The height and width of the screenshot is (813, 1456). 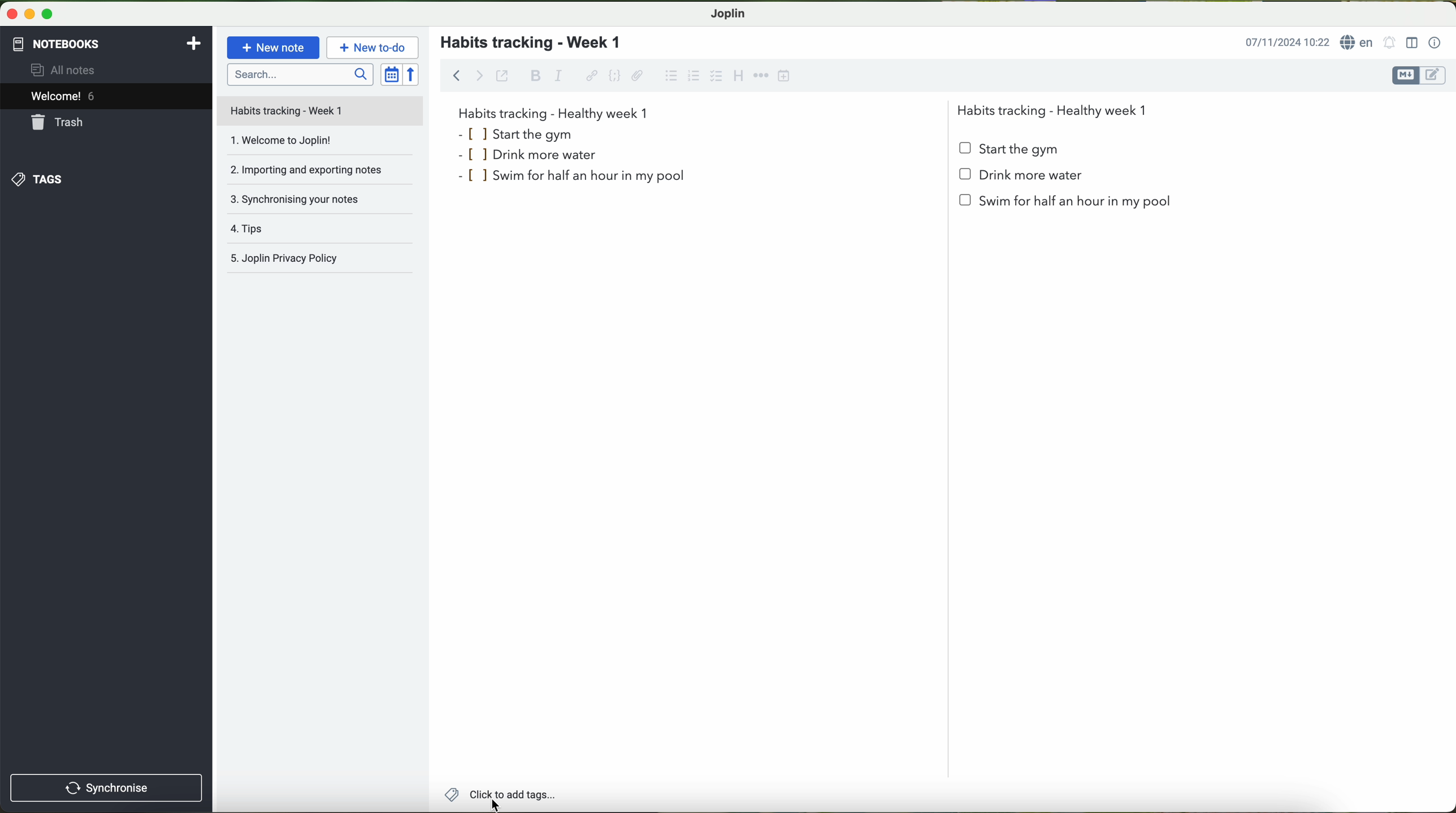 What do you see at coordinates (324, 203) in the screenshot?
I see `synchronising your notes` at bounding box center [324, 203].